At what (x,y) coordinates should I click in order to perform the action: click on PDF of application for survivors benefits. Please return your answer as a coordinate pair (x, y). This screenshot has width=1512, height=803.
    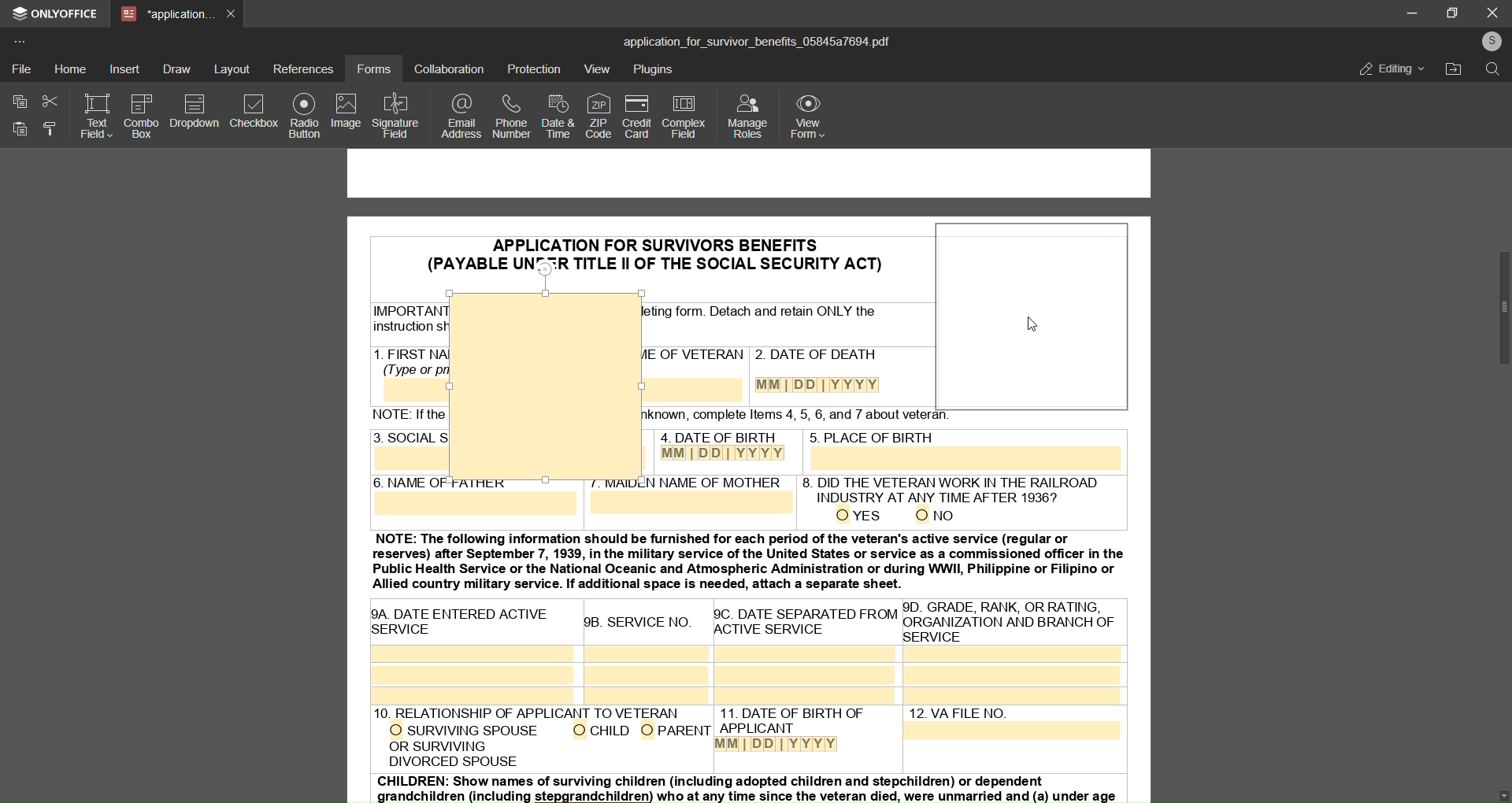
    Looking at the image, I should click on (395, 330).